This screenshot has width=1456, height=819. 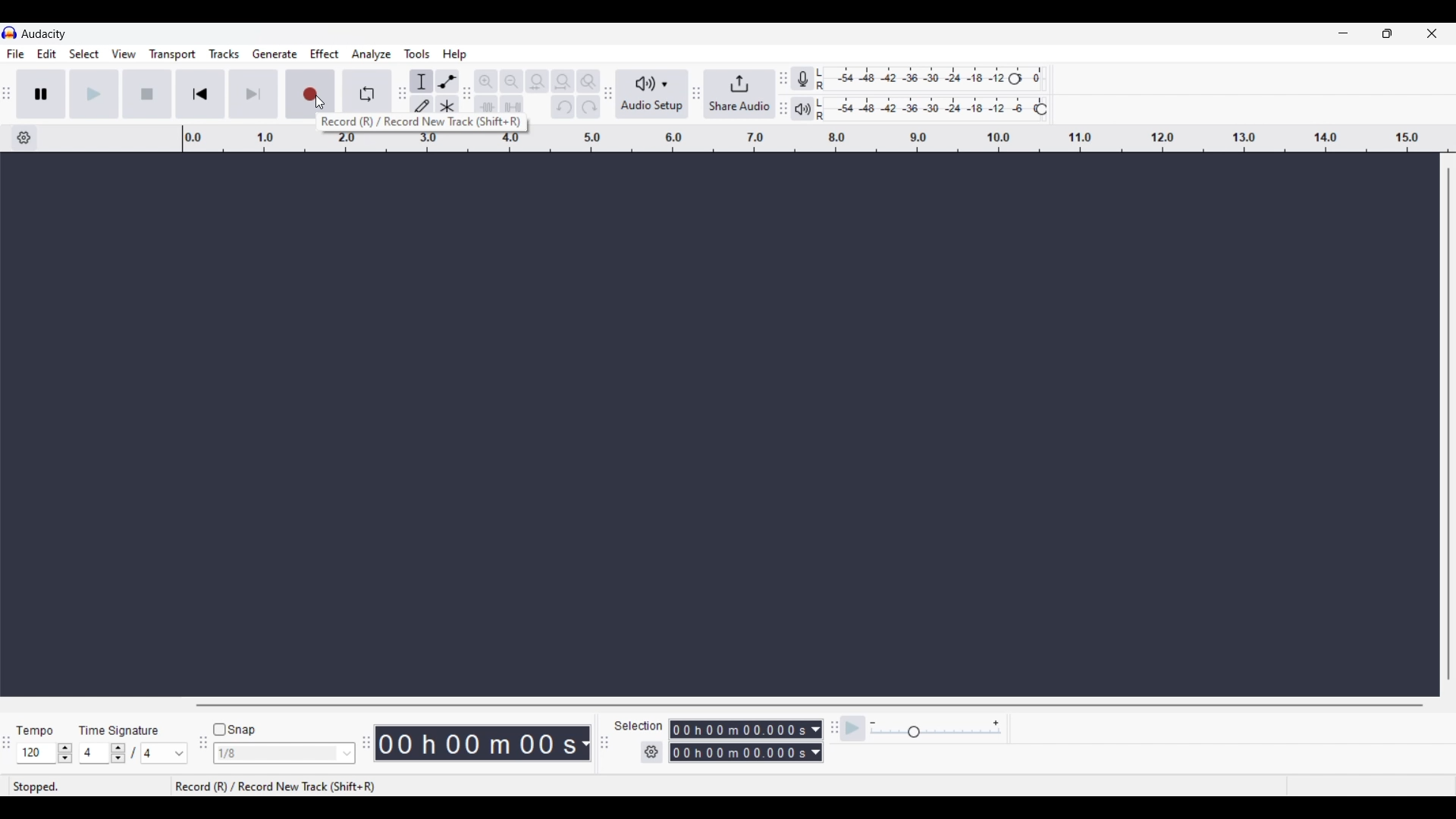 I want to click on Zoom in, so click(x=486, y=81).